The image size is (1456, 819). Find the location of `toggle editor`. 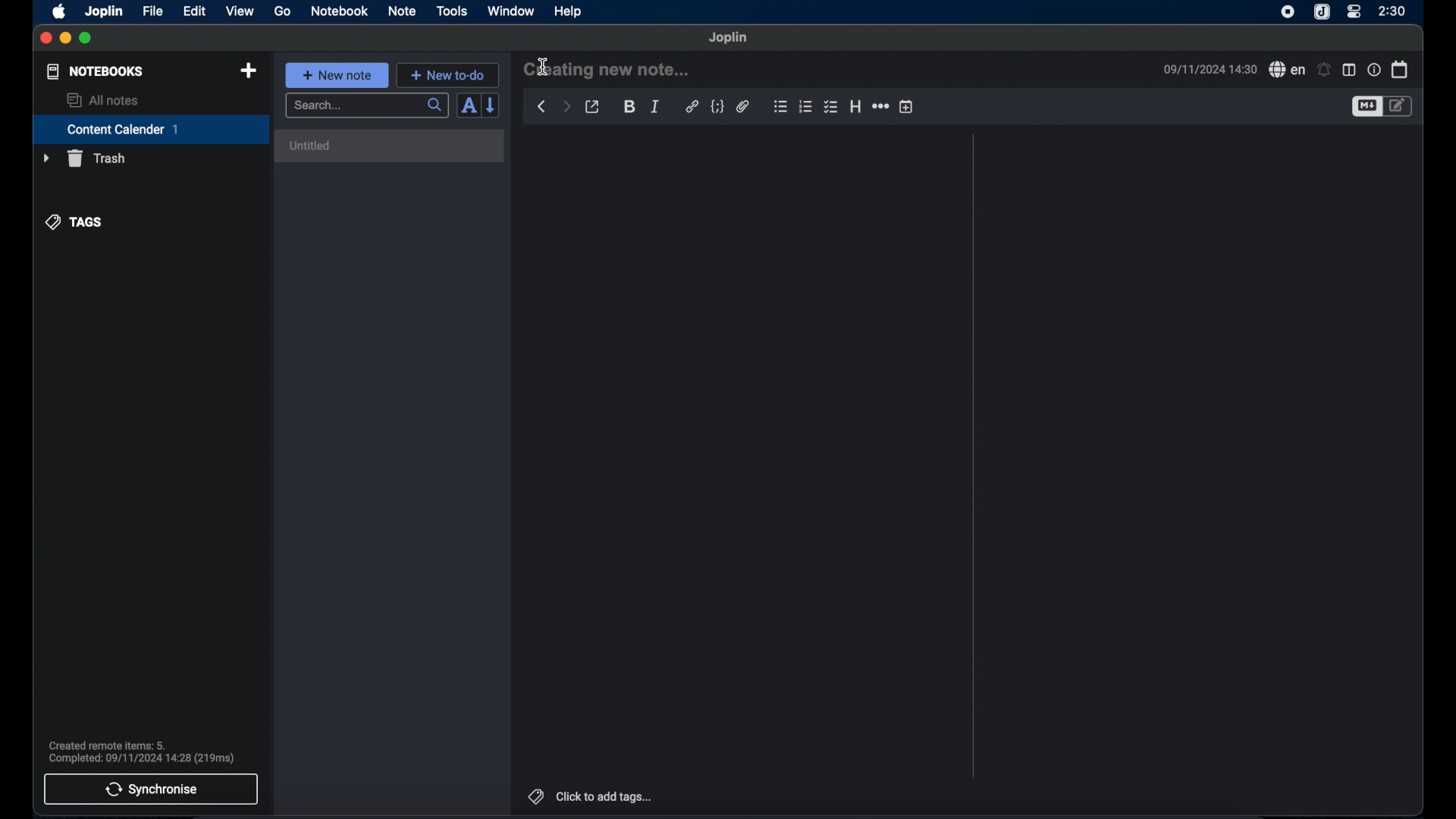

toggle editor is located at coordinates (1365, 107).